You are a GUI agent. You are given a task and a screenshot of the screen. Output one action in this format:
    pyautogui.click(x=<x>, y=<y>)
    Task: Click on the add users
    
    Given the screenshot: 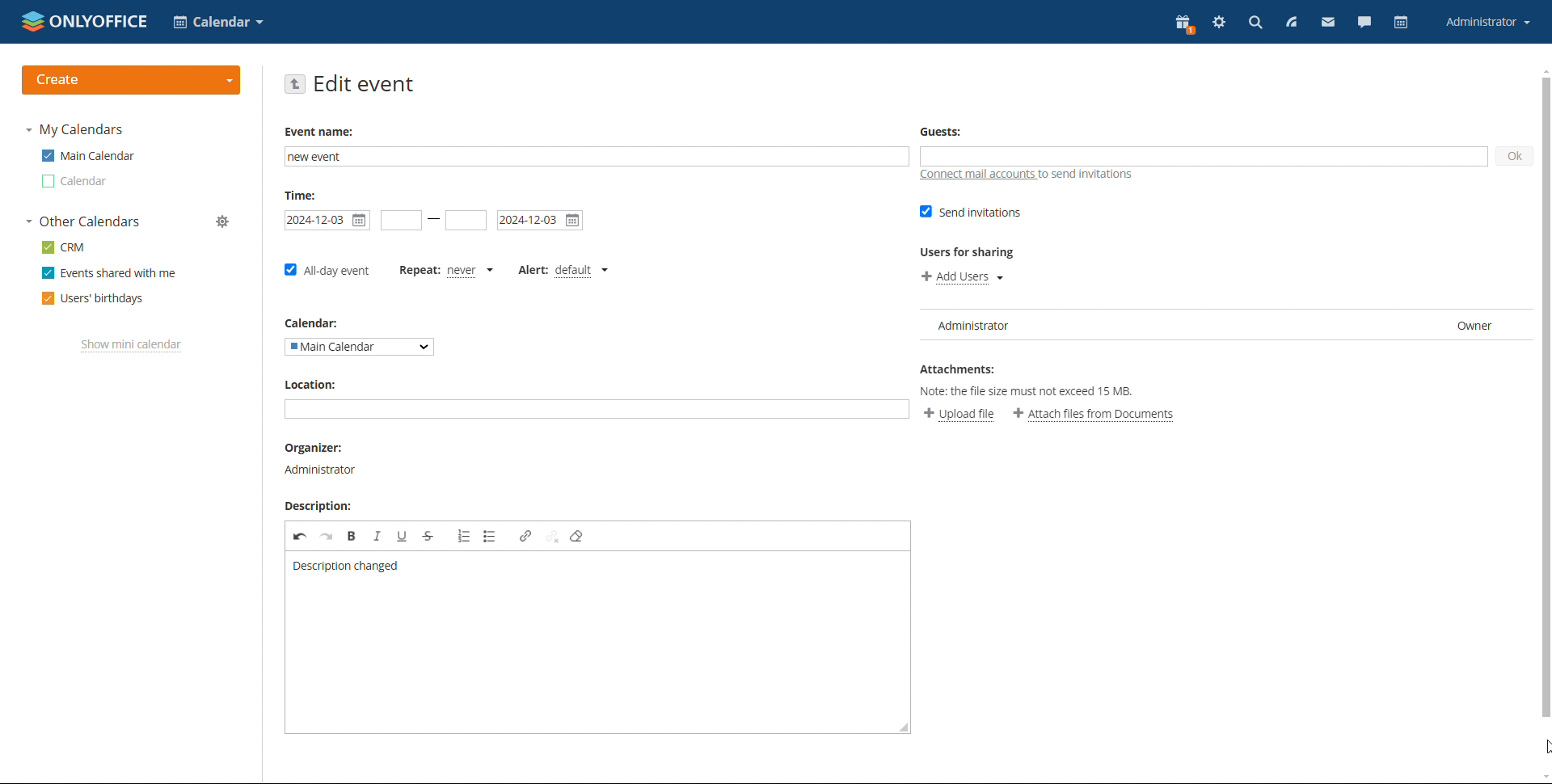 What is the action you would take?
    pyautogui.click(x=961, y=278)
    